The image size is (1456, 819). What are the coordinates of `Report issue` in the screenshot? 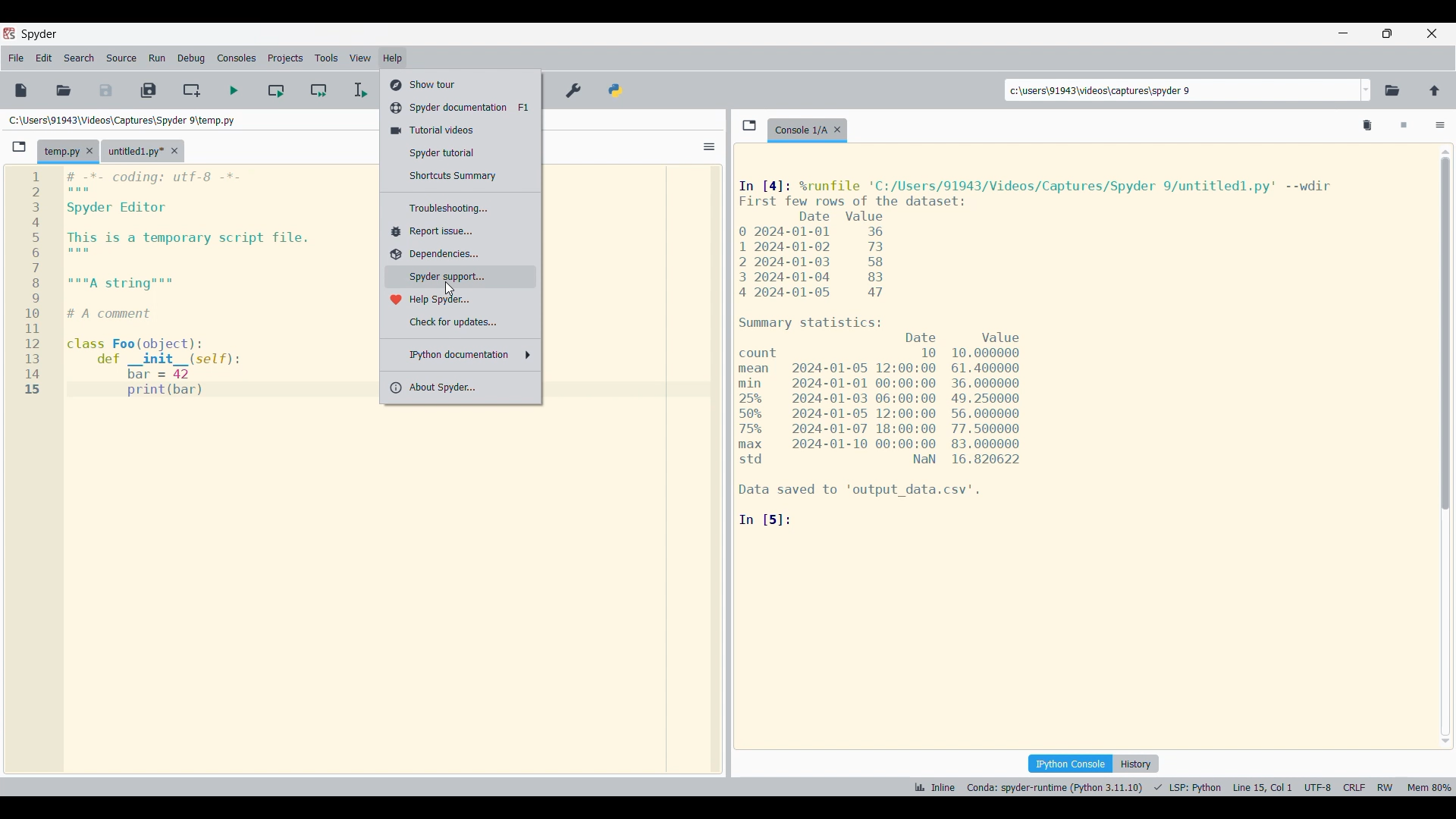 It's located at (461, 231).